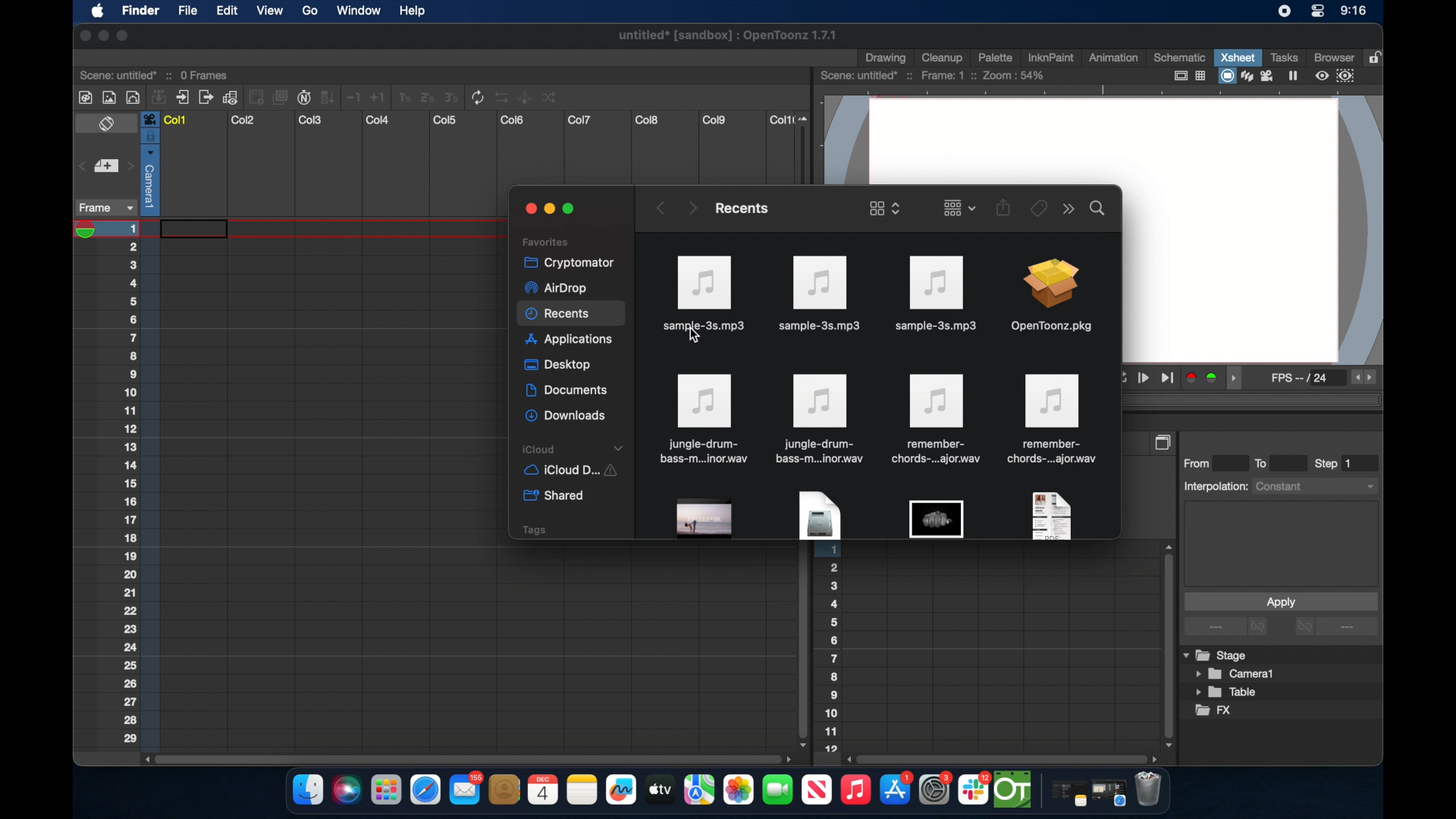 This screenshot has width=1456, height=819. Describe the element at coordinates (354, 11) in the screenshot. I see `window` at that location.